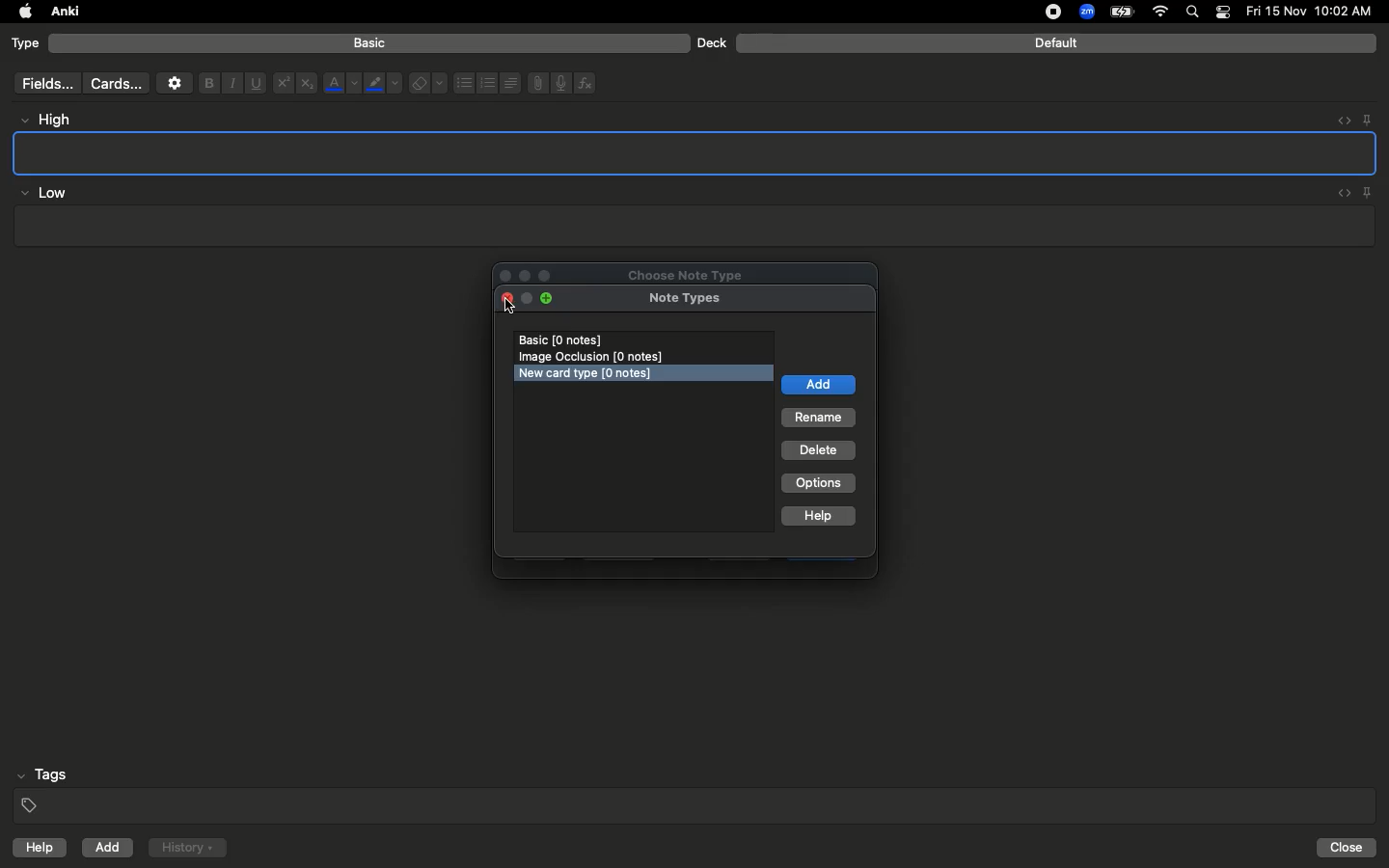 This screenshot has height=868, width=1389. I want to click on Rename, so click(819, 419).